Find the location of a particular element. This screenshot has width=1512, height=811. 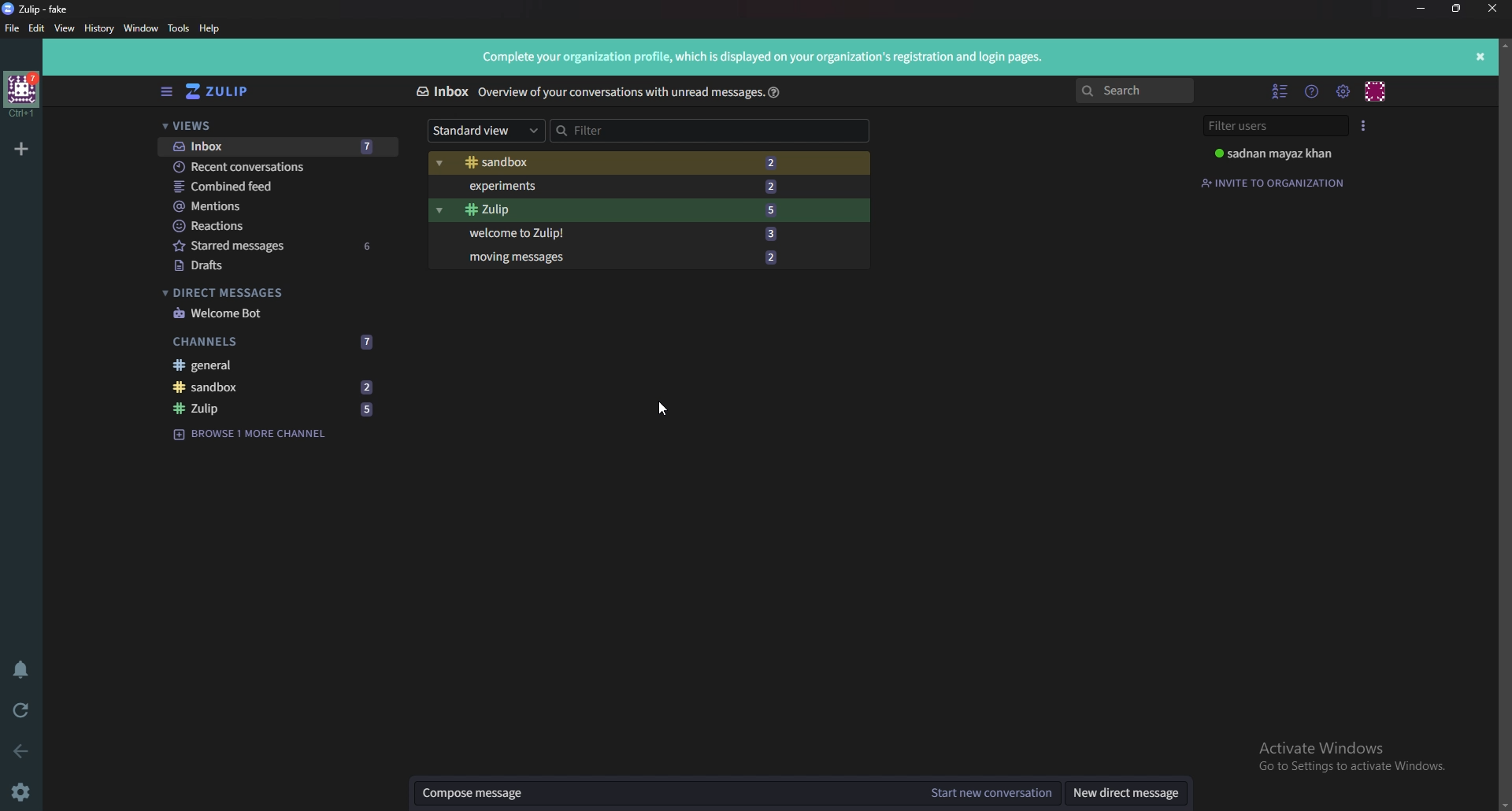

Personal menu is located at coordinates (1377, 90).